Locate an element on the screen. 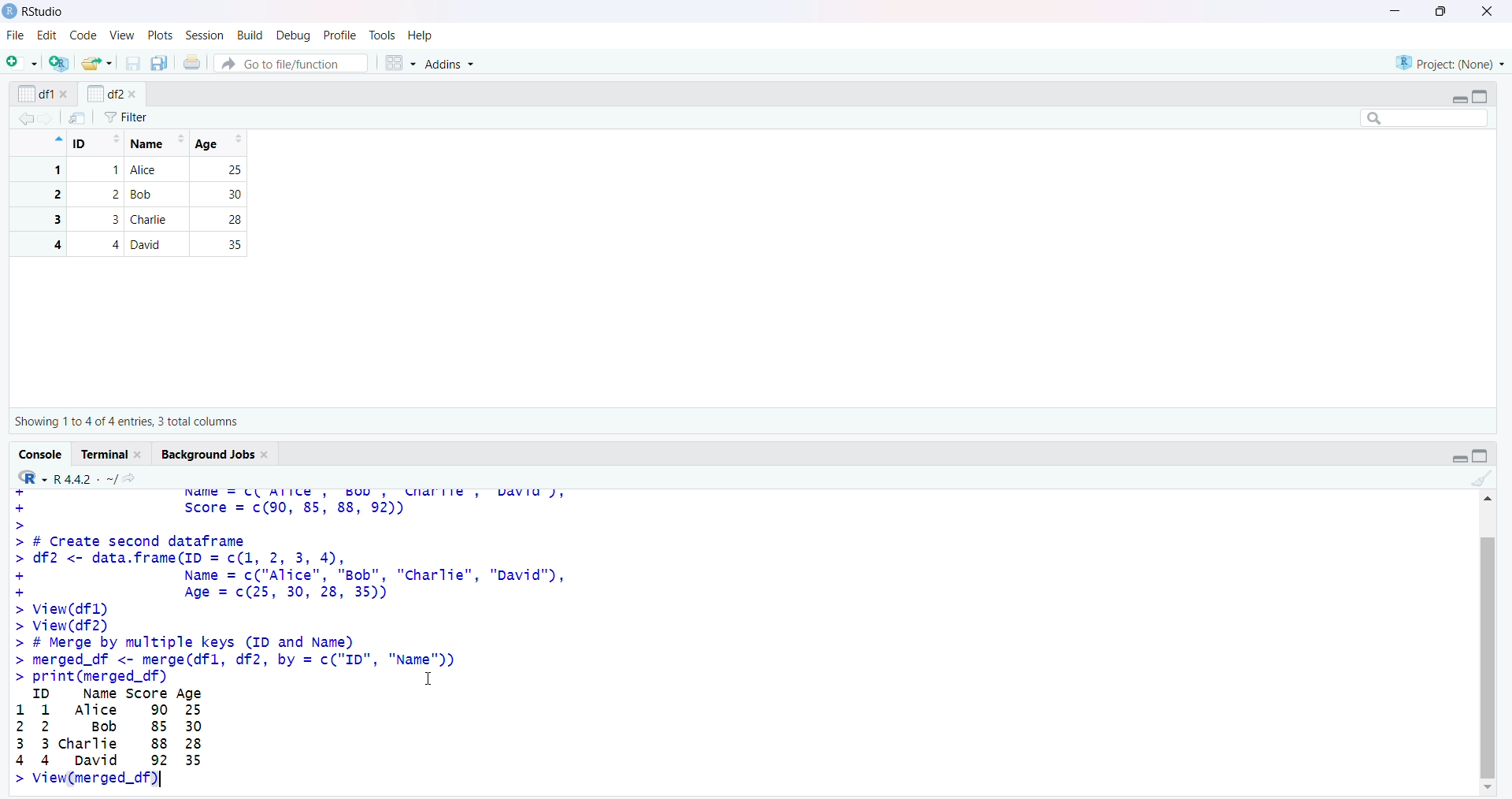  + Score = c(20, 85, 88, 92))> is located at coordinates (216, 515).